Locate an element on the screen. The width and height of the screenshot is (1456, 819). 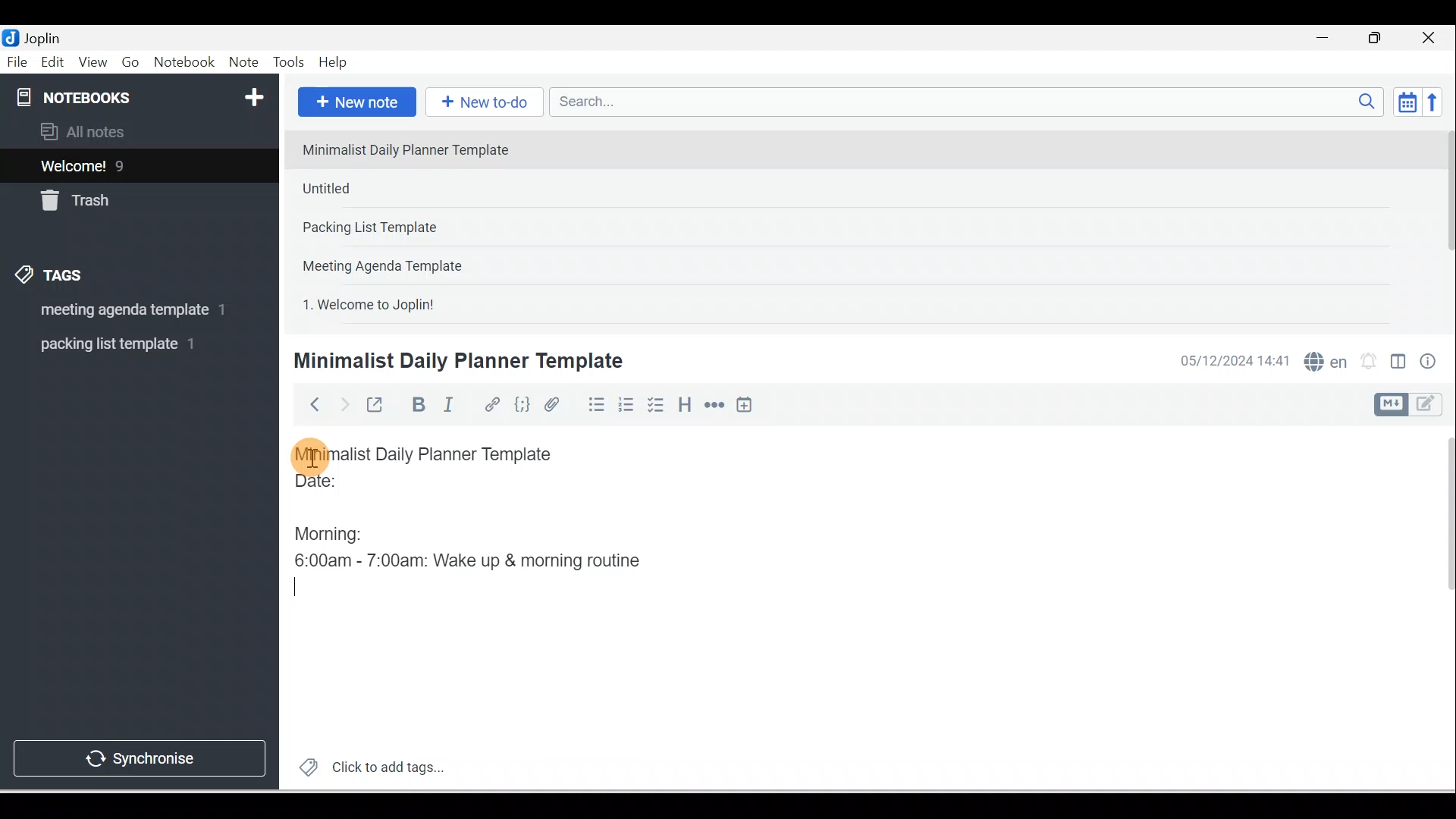
Notes is located at coordinates (128, 162).